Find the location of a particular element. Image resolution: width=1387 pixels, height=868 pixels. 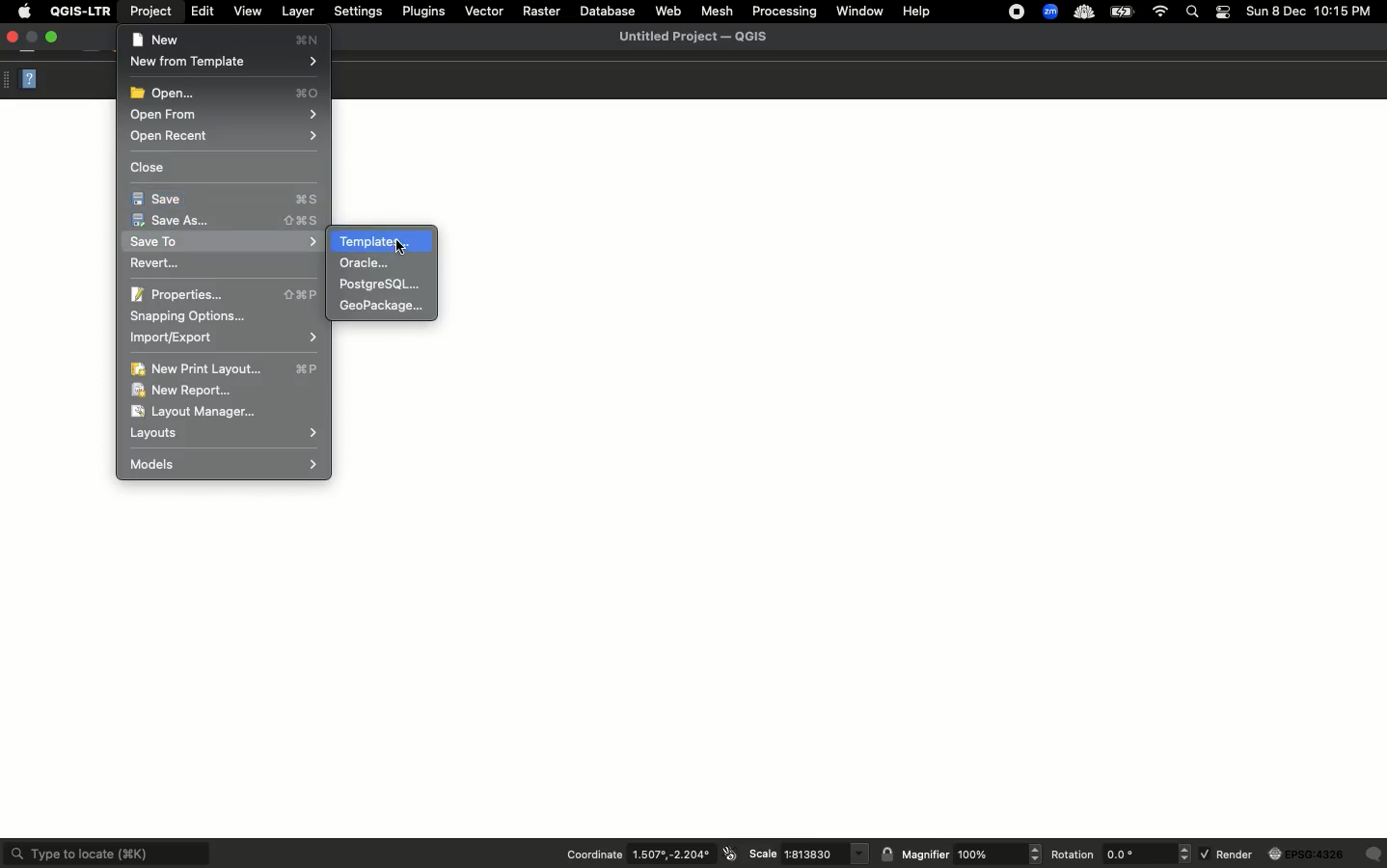

Mesh is located at coordinates (718, 12).